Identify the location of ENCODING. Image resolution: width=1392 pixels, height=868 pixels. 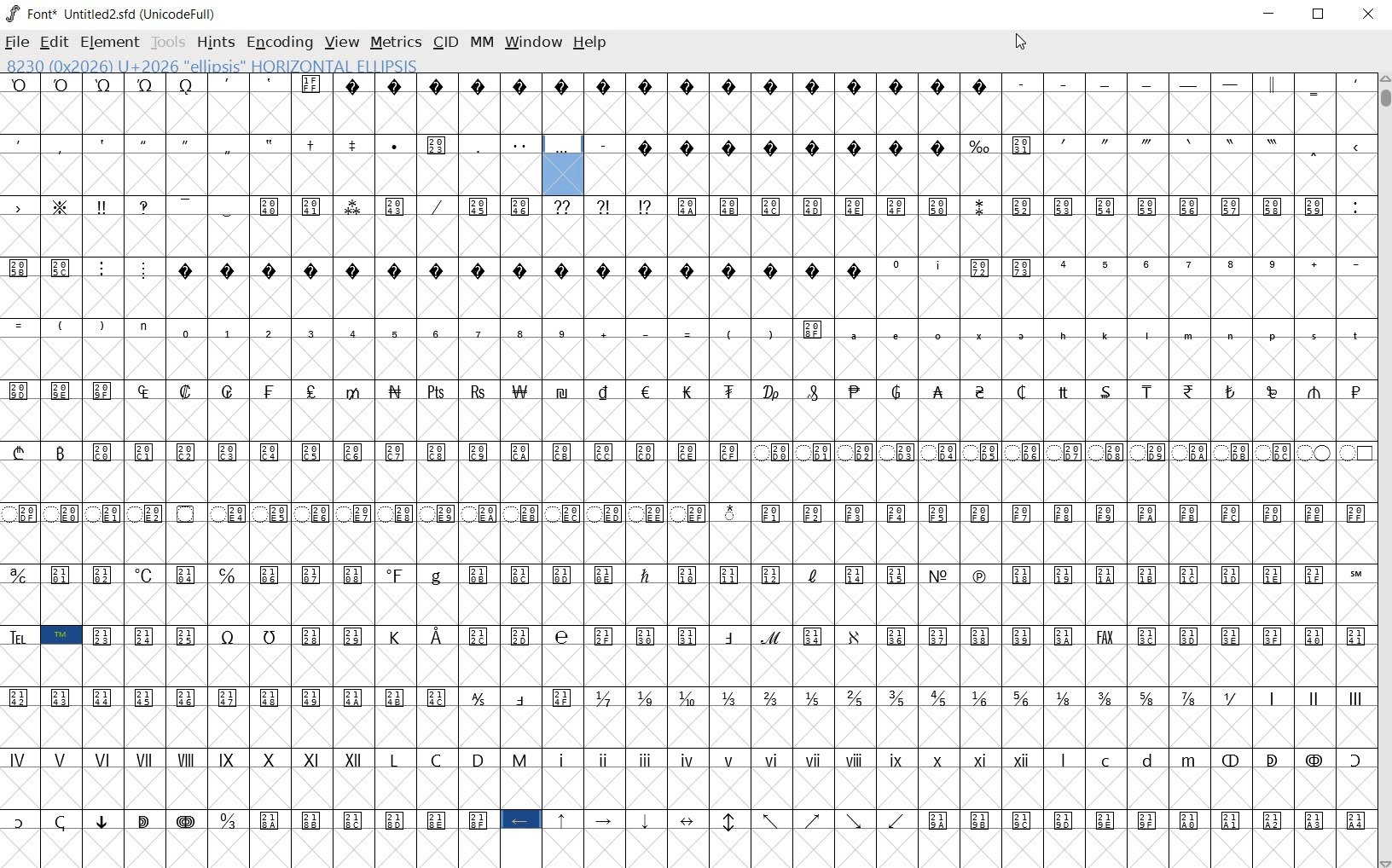
(278, 43).